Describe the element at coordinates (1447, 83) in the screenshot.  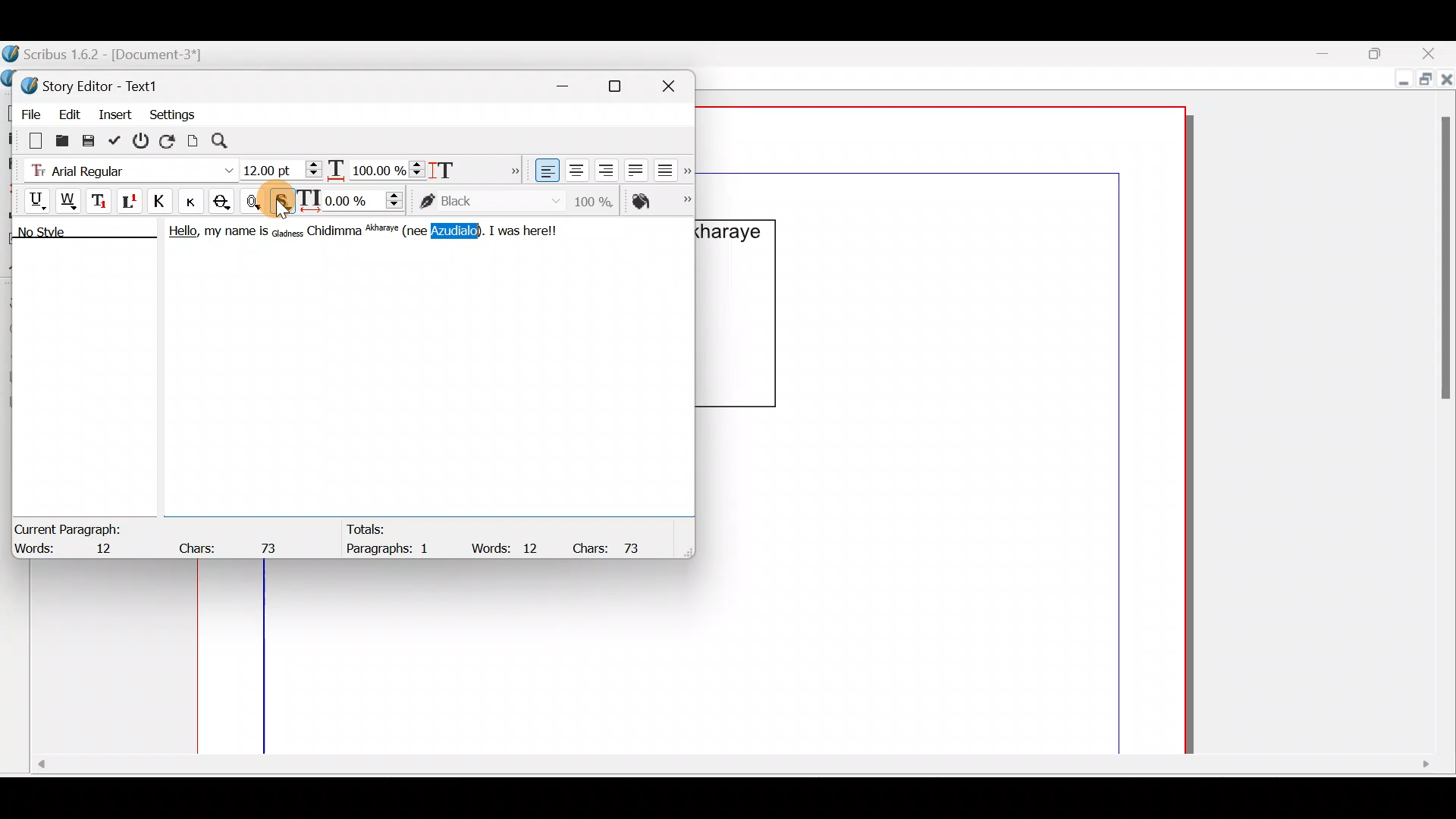
I see `Close` at that location.